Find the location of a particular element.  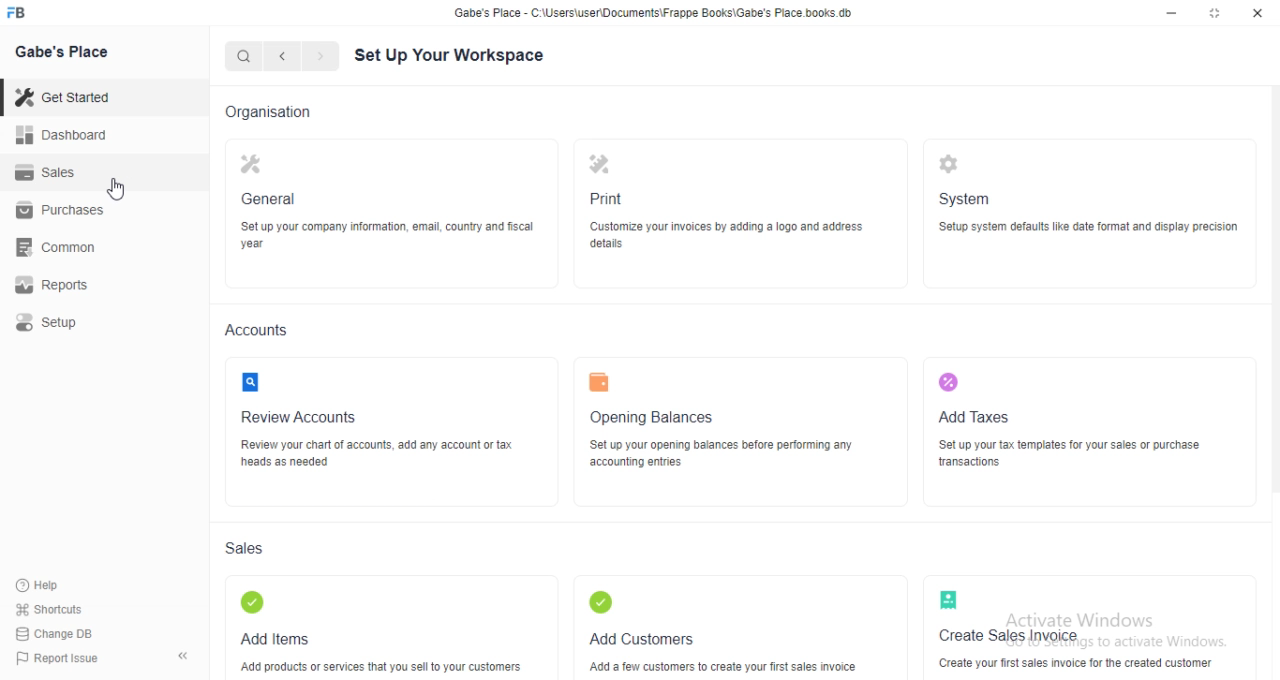

Set up your company information. email country and fiscal year is located at coordinates (384, 236).